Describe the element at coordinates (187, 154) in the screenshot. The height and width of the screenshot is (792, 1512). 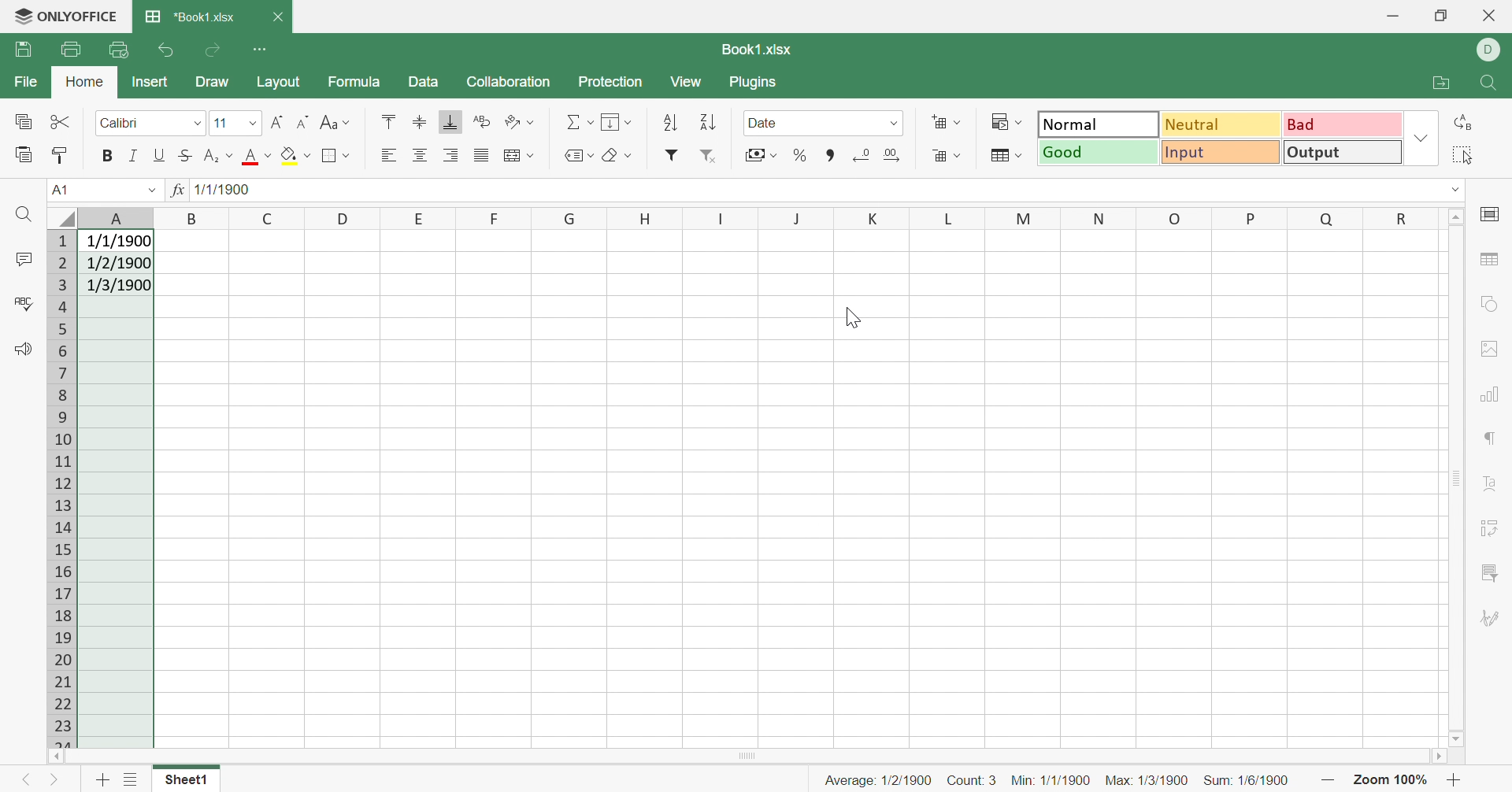
I see `Strikethrough` at that location.